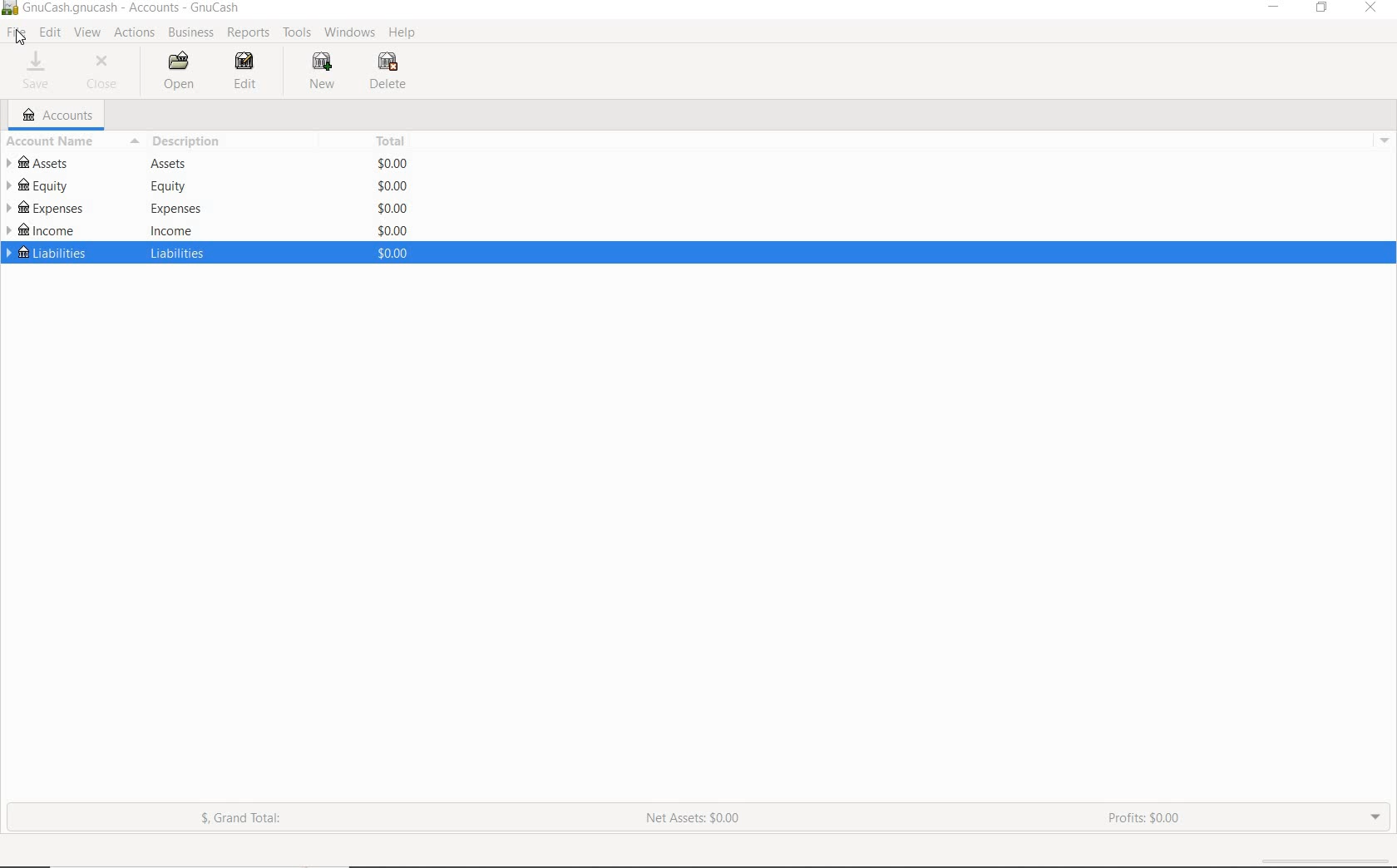 The image size is (1397, 868). I want to click on WINDOWS, so click(348, 33).